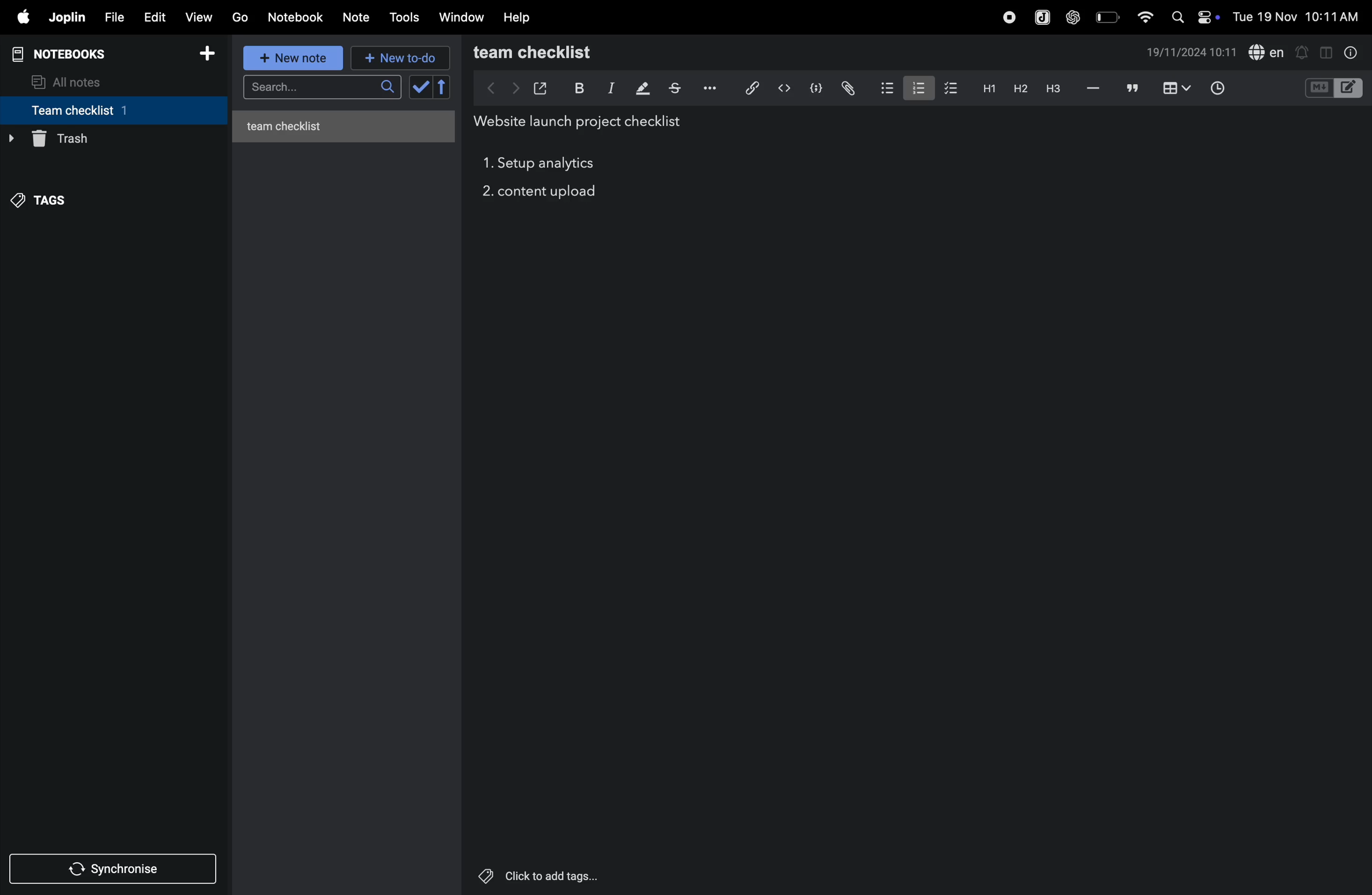  Describe the element at coordinates (1130, 89) in the screenshot. I see `comments` at that location.